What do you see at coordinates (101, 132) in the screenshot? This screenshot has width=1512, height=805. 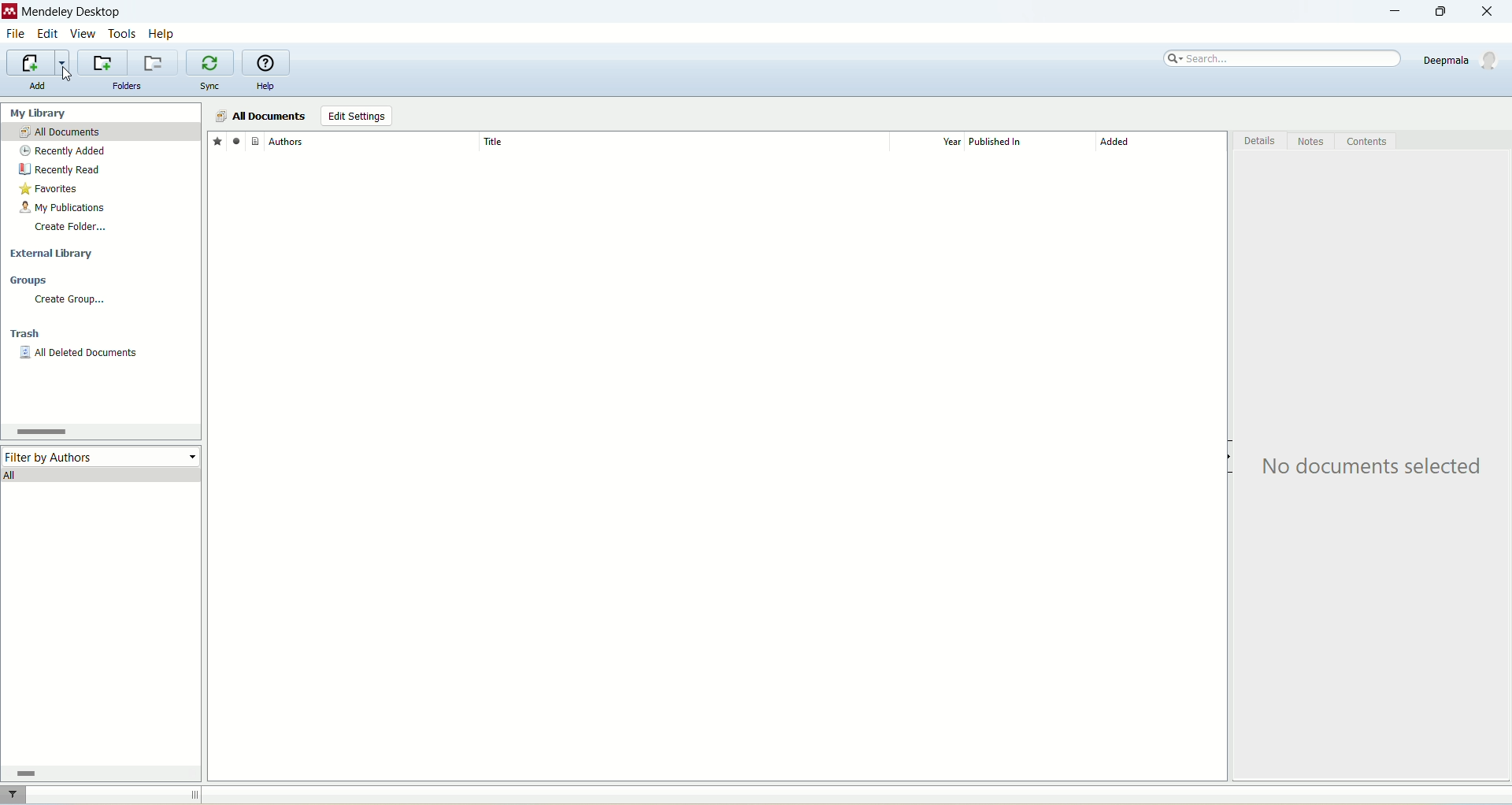 I see `all documents` at bounding box center [101, 132].